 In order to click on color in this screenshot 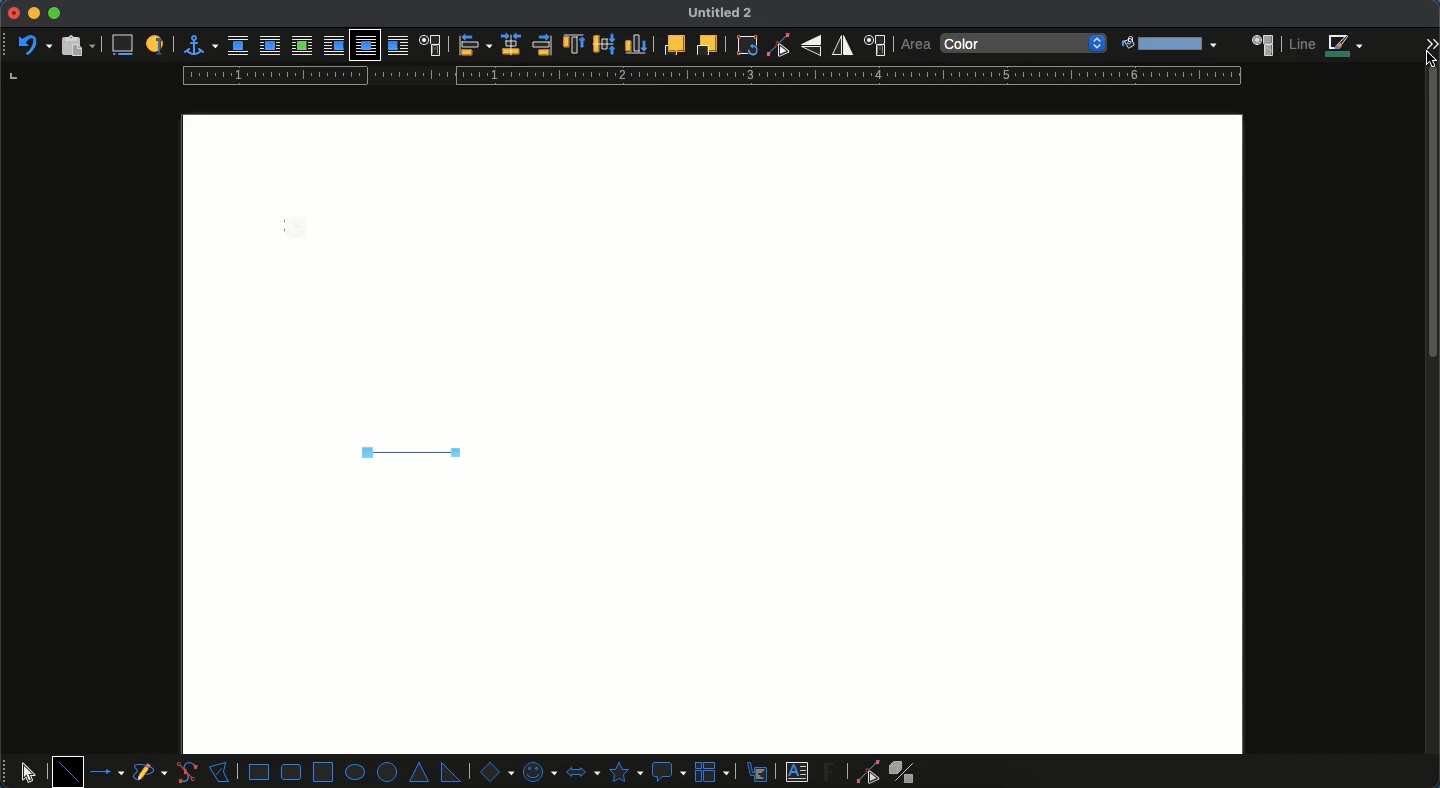, I will do `click(1025, 44)`.